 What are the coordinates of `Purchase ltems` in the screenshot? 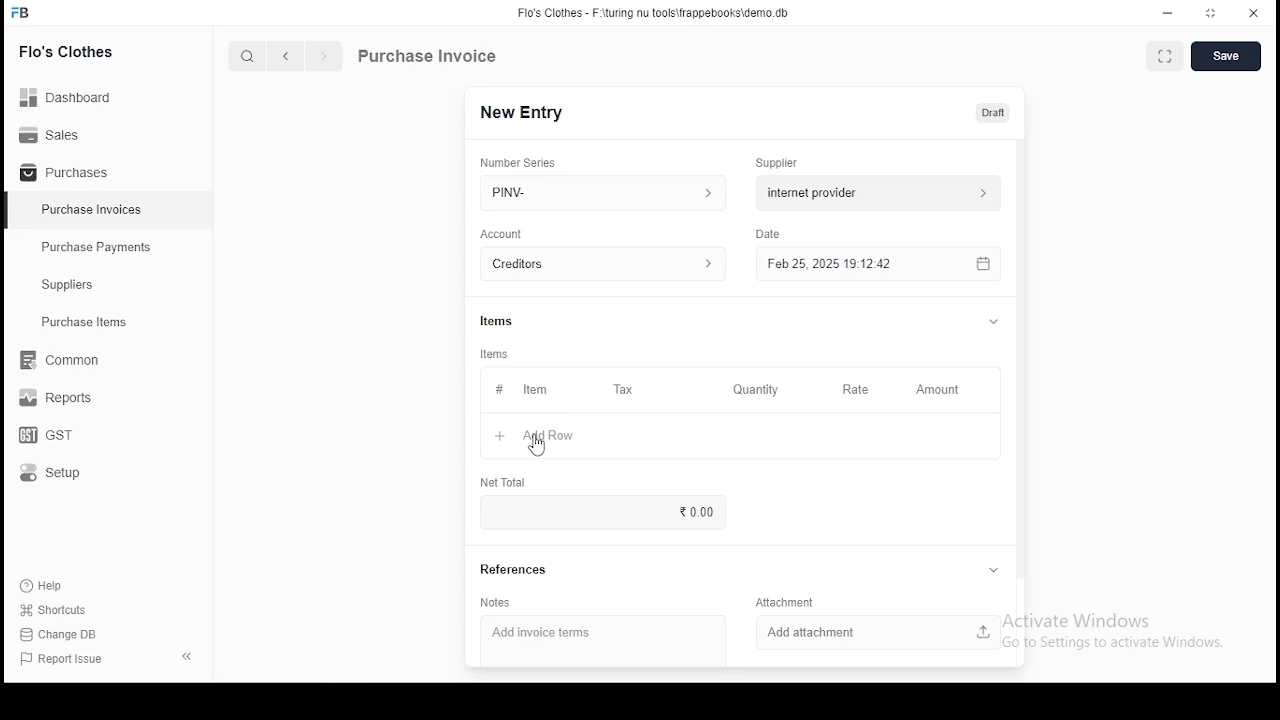 It's located at (75, 323).